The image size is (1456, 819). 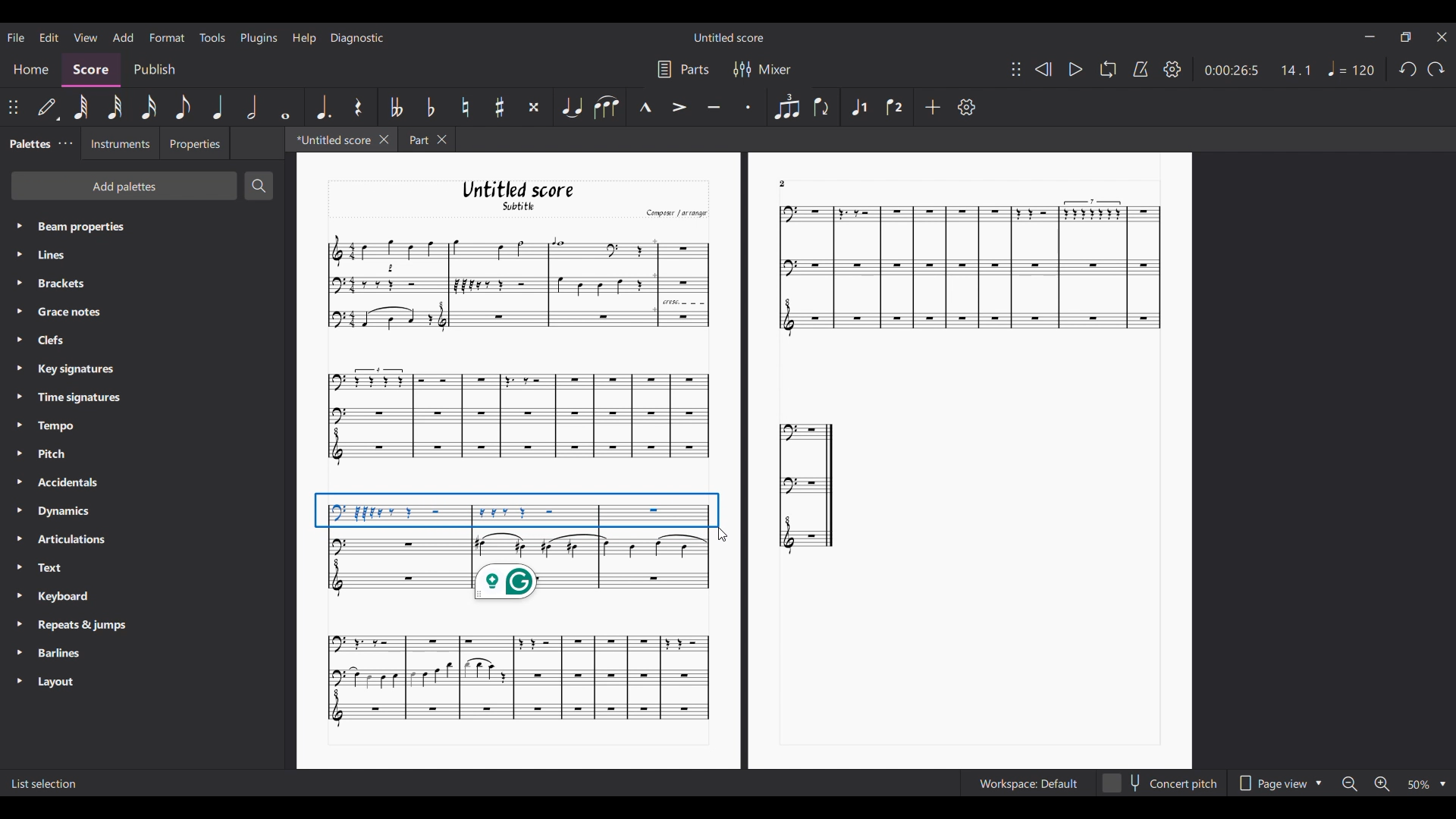 I want to click on Slur, so click(x=607, y=108).